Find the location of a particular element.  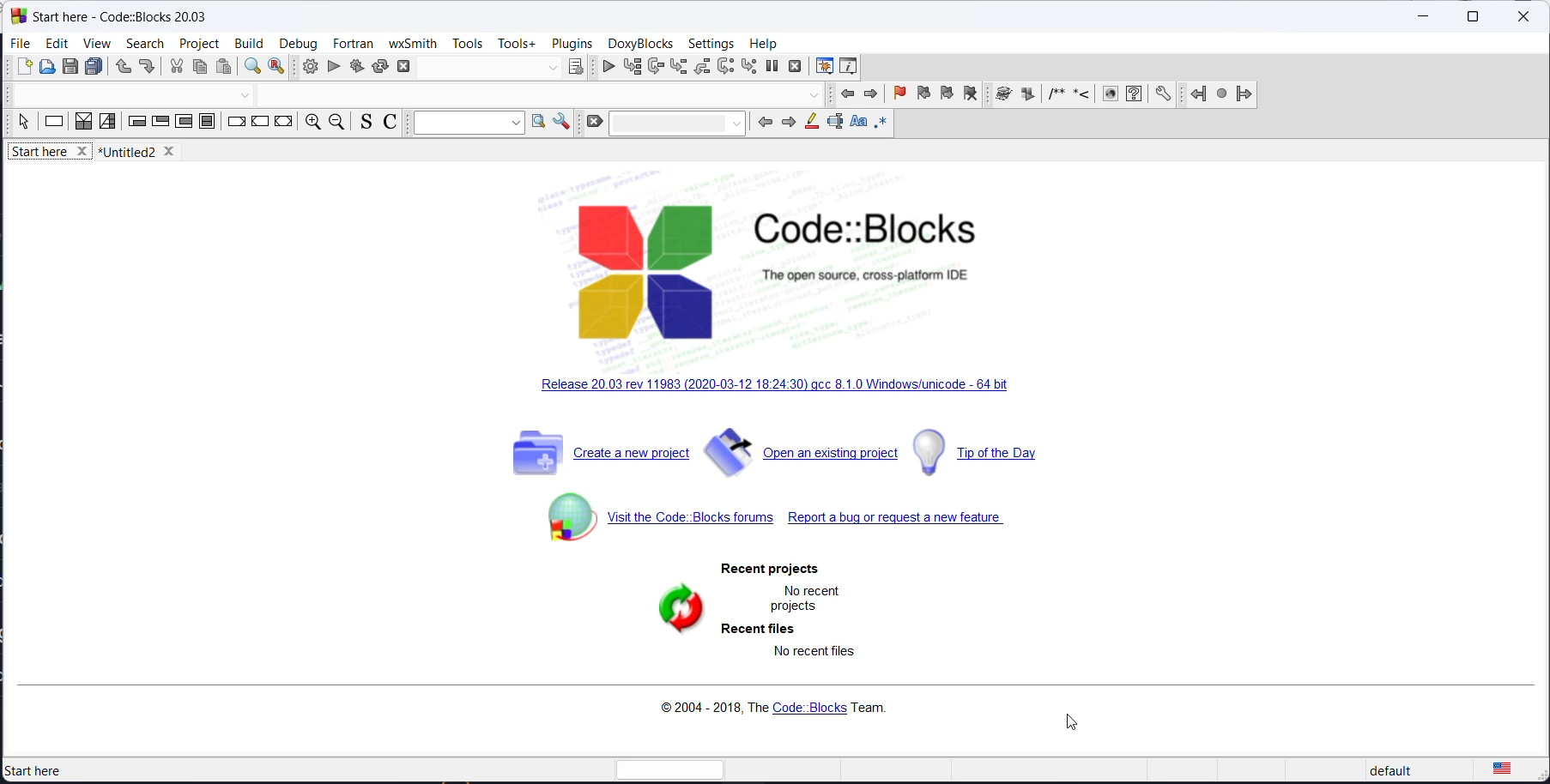

icon is located at coordinates (1109, 95).